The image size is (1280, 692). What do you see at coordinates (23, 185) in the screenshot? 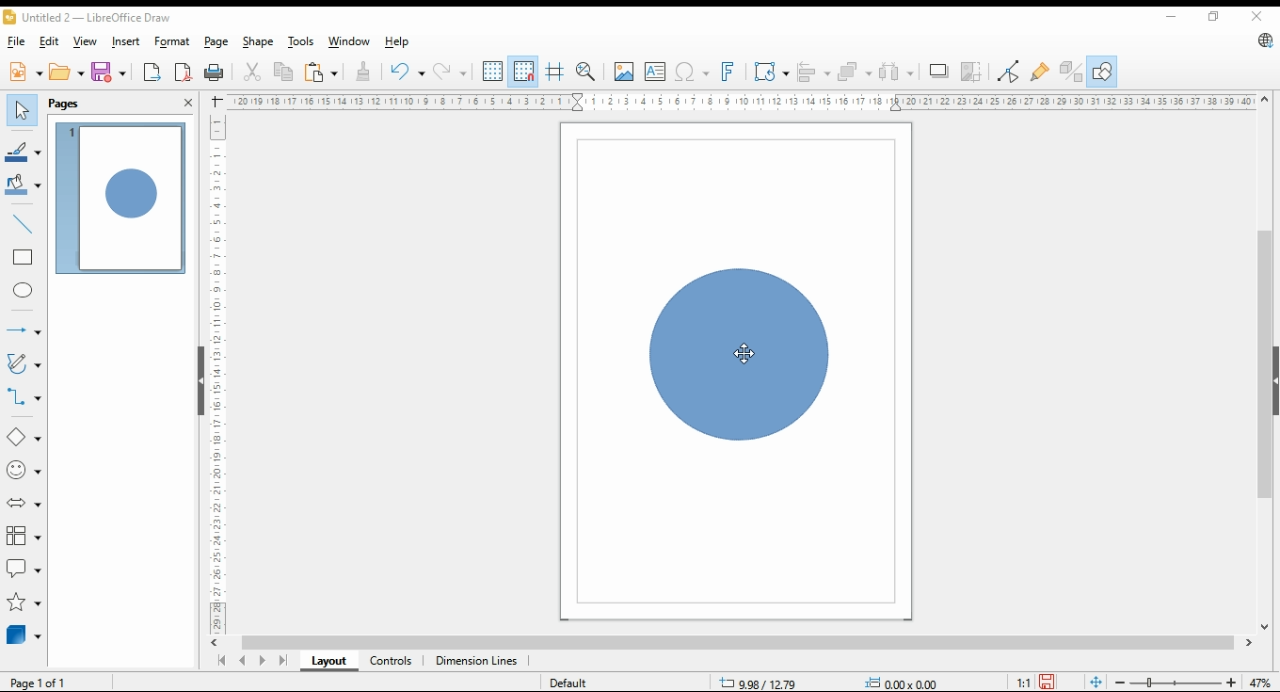
I see `fill color` at bounding box center [23, 185].